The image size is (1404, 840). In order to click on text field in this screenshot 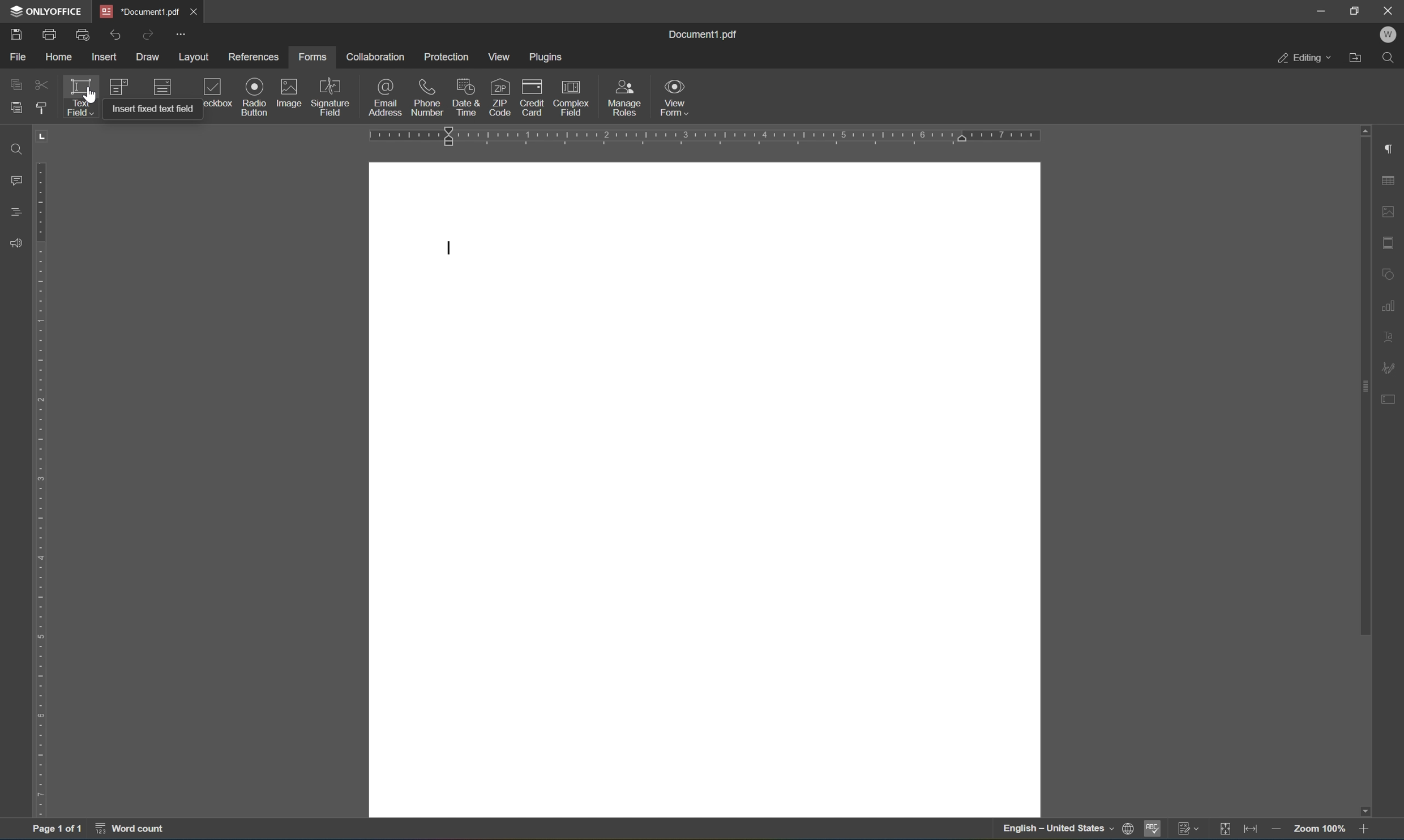, I will do `click(79, 96)`.